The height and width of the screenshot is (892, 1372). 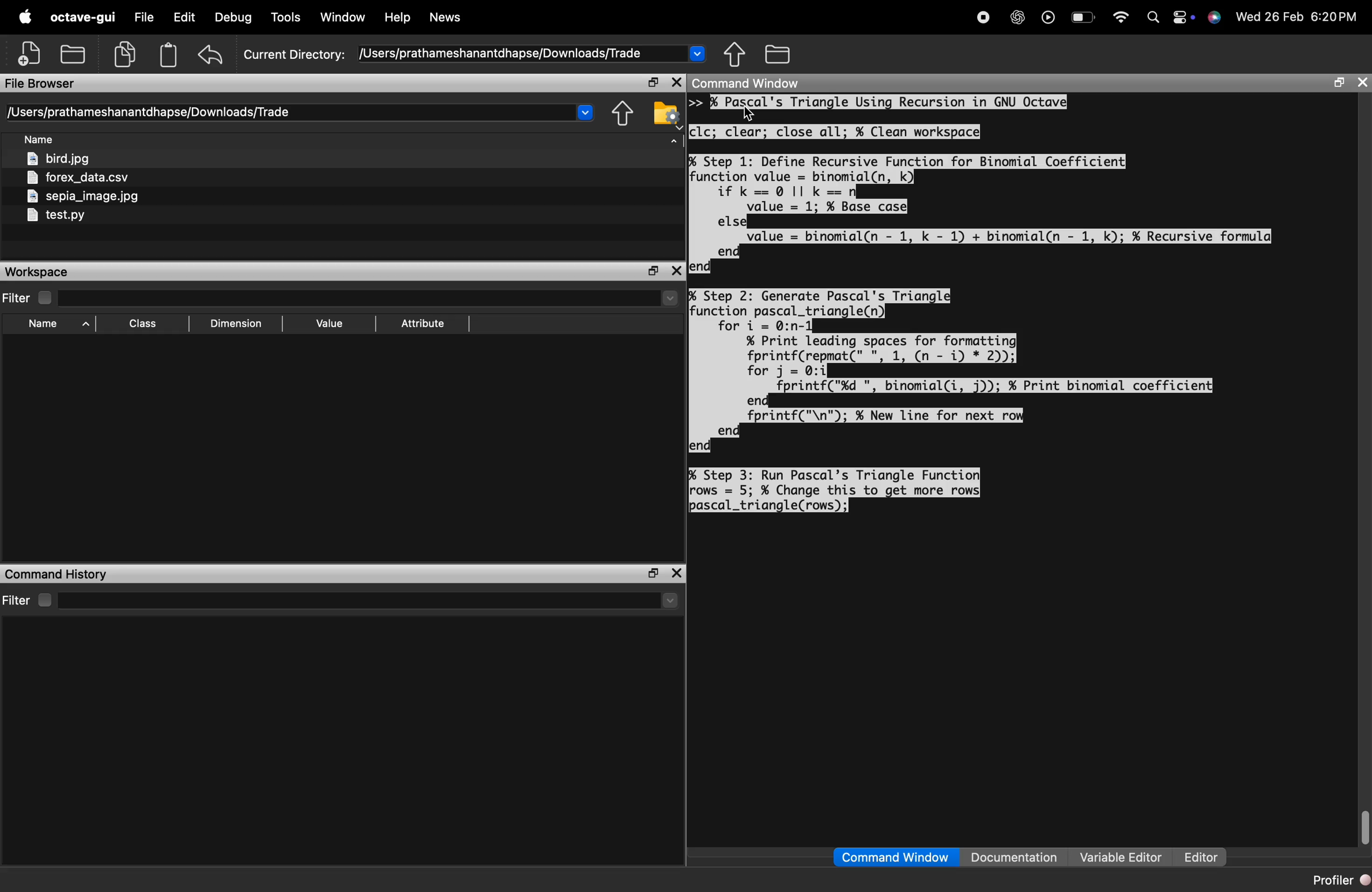 What do you see at coordinates (1340, 879) in the screenshot?
I see `Profiler` at bounding box center [1340, 879].